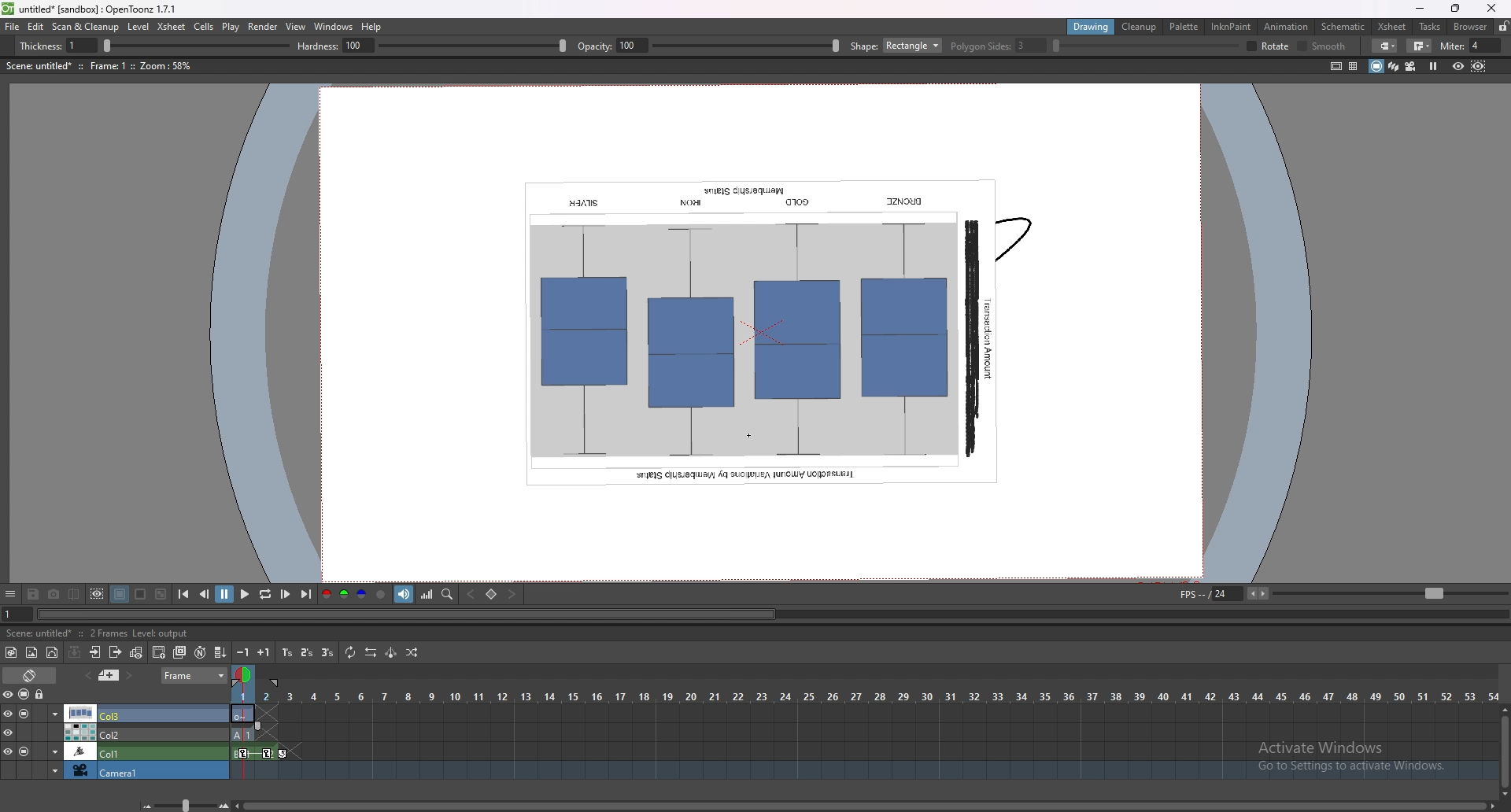 This screenshot has height=812, width=1511. What do you see at coordinates (448, 593) in the screenshot?
I see `locator` at bounding box center [448, 593].